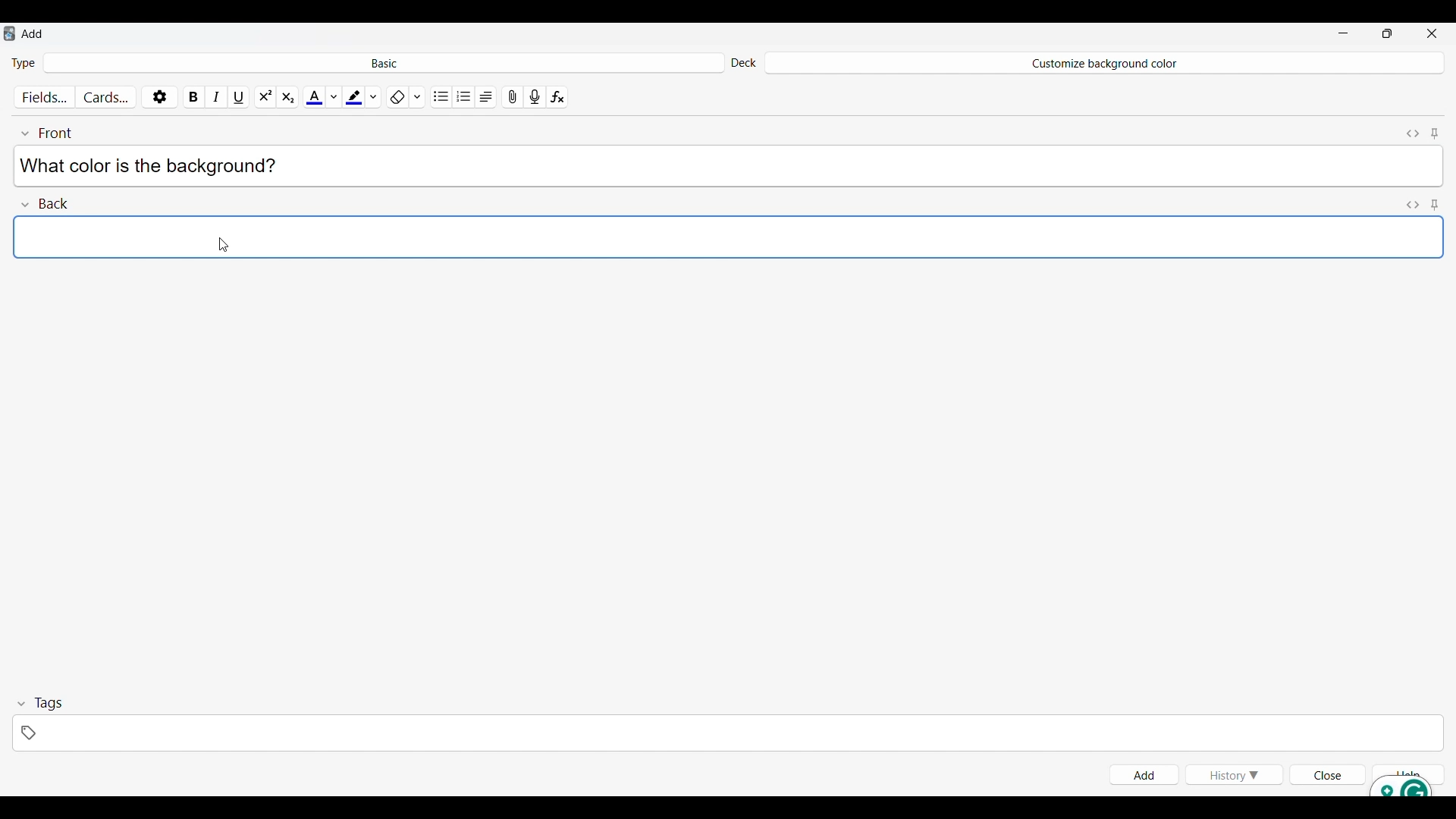 Image resolution: width=1456 pixels, height=819 pixels. I want to click on Selected highlight color, so click(353, 94).